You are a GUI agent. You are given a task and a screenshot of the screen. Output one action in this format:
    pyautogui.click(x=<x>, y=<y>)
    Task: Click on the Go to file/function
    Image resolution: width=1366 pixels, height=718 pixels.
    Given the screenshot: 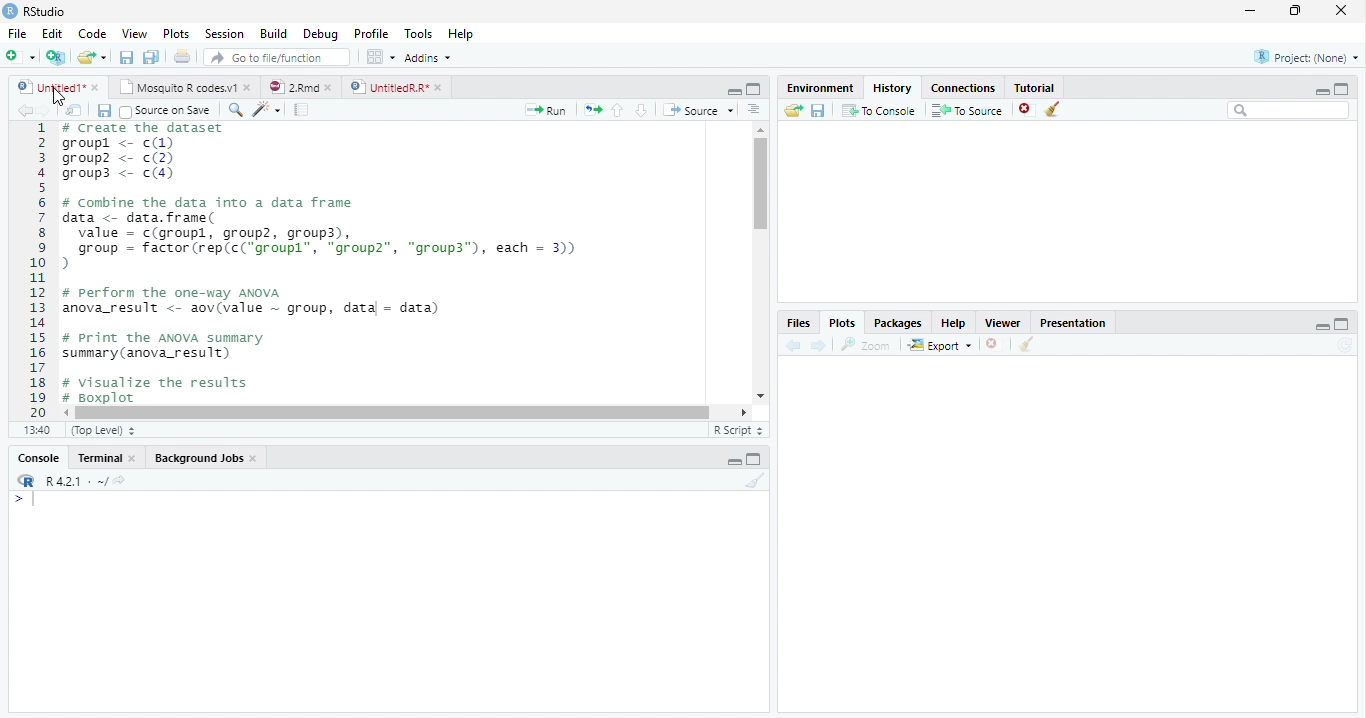 What is the action you would take?
    pyautogui.click(x=277, y=58)
    